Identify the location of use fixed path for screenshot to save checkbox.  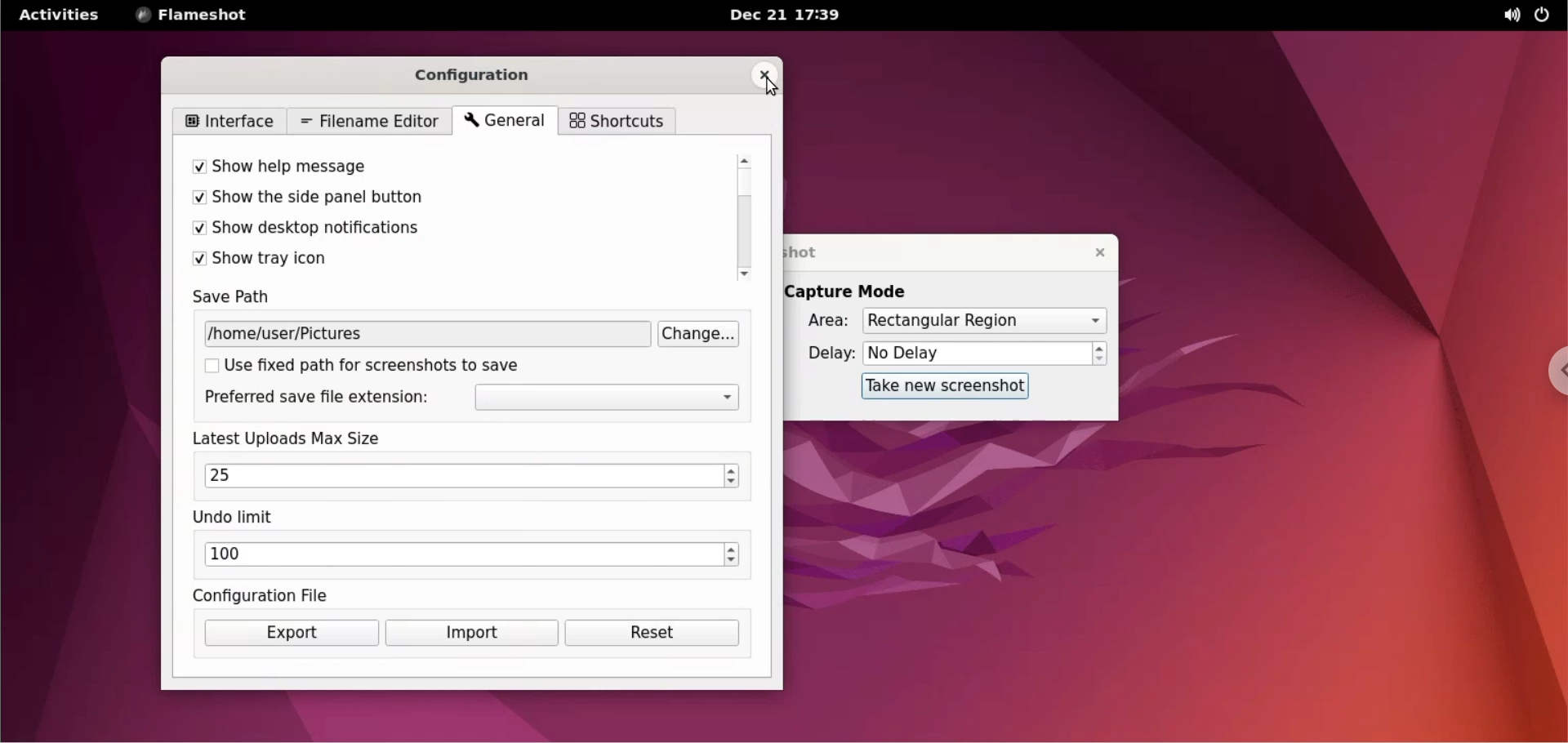
(383, 365).